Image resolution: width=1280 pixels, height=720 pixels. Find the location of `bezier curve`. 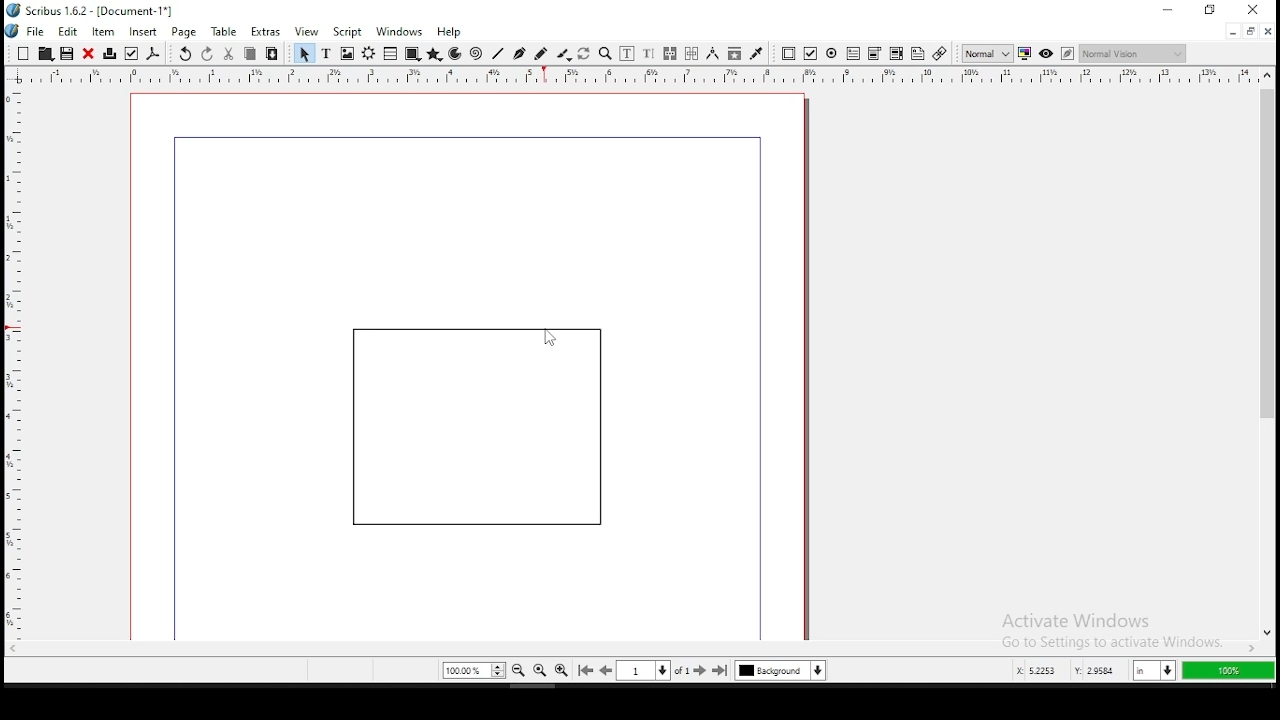

bezier curve is located at coordinates (519, 54).